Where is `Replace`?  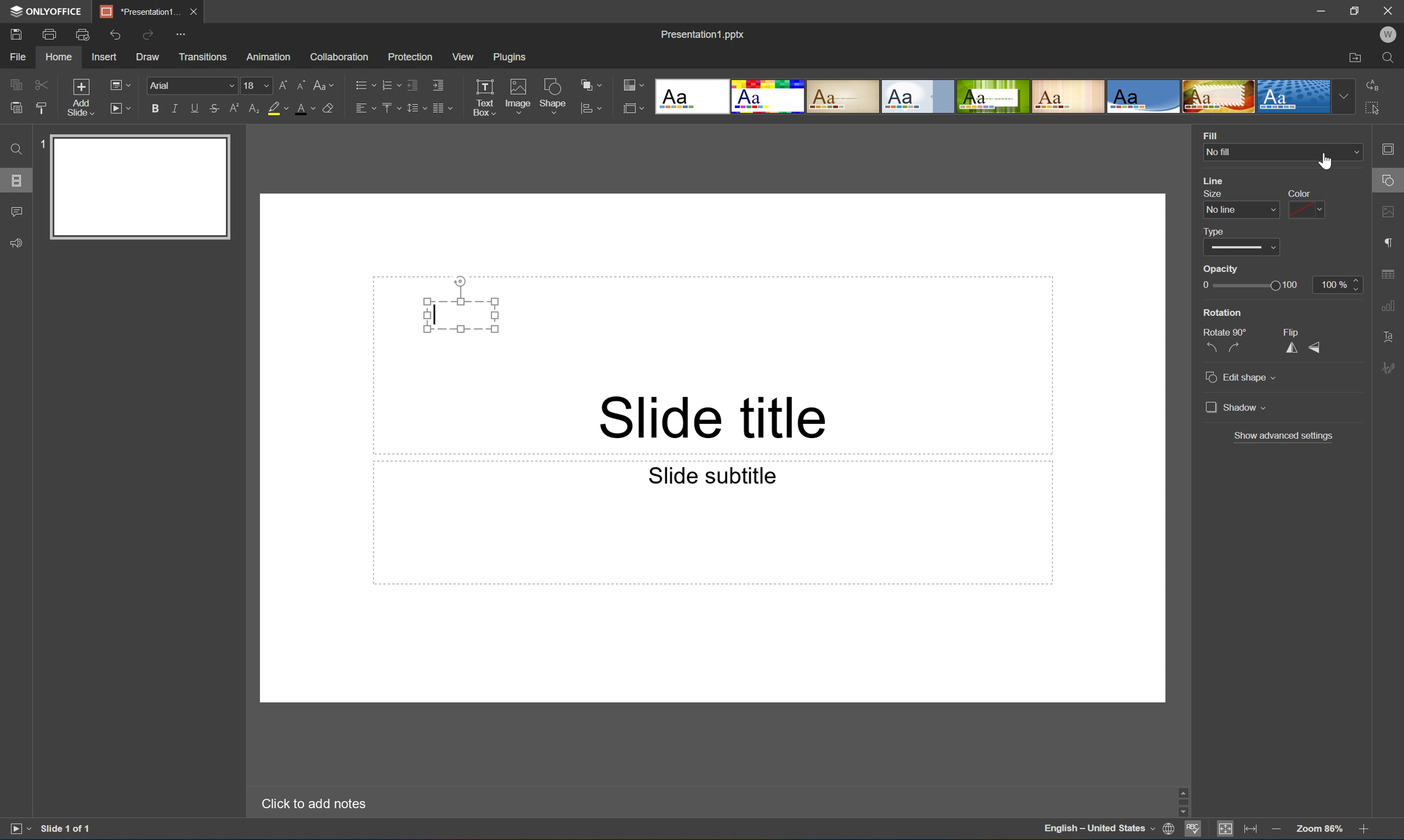
Replace is located at coordinates (1372, 83).